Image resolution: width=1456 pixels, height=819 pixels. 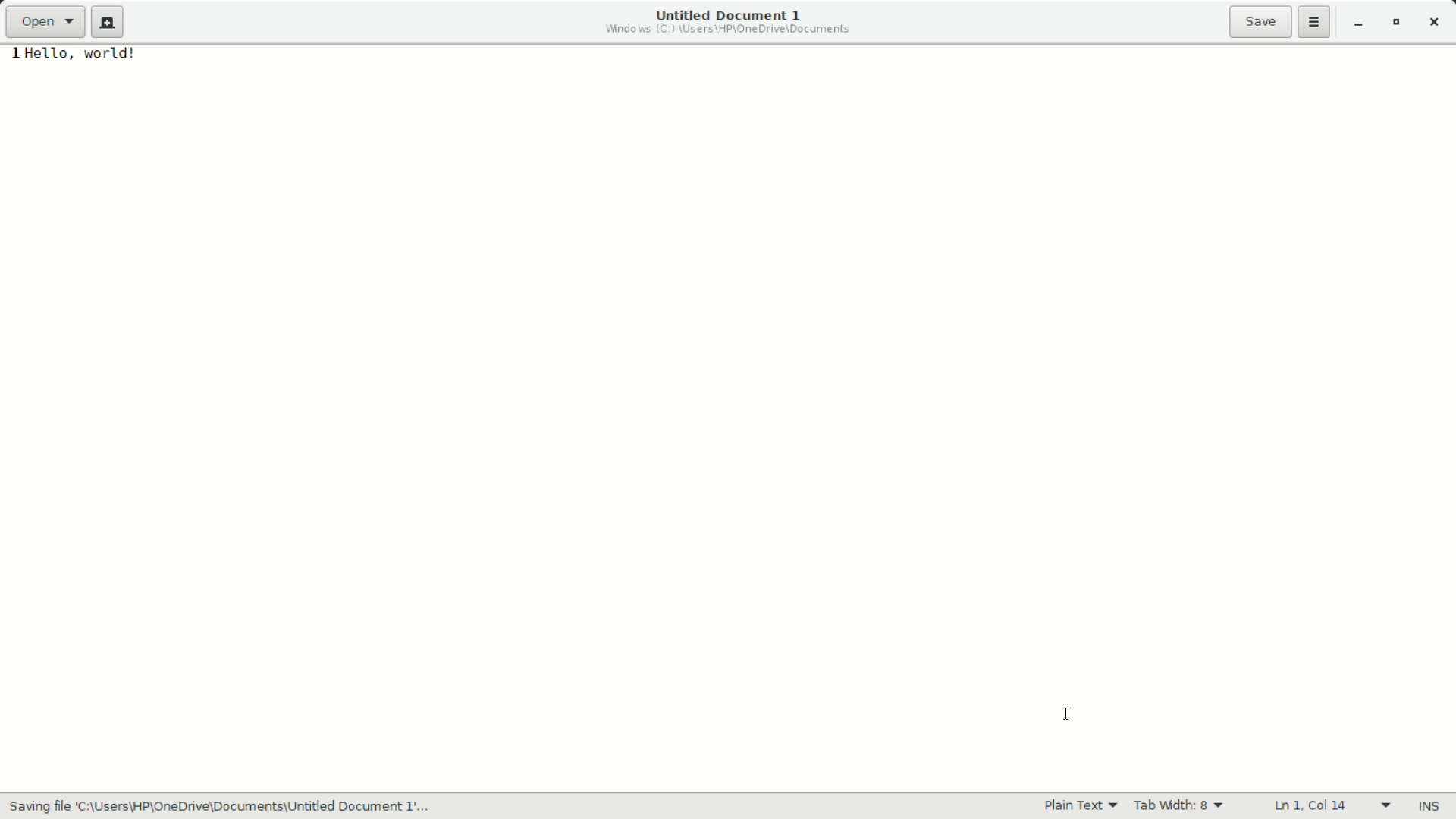 What do you see at coordinates (108, 23) in the screenshot?
I see `new document` at bounding box center [108, 23].